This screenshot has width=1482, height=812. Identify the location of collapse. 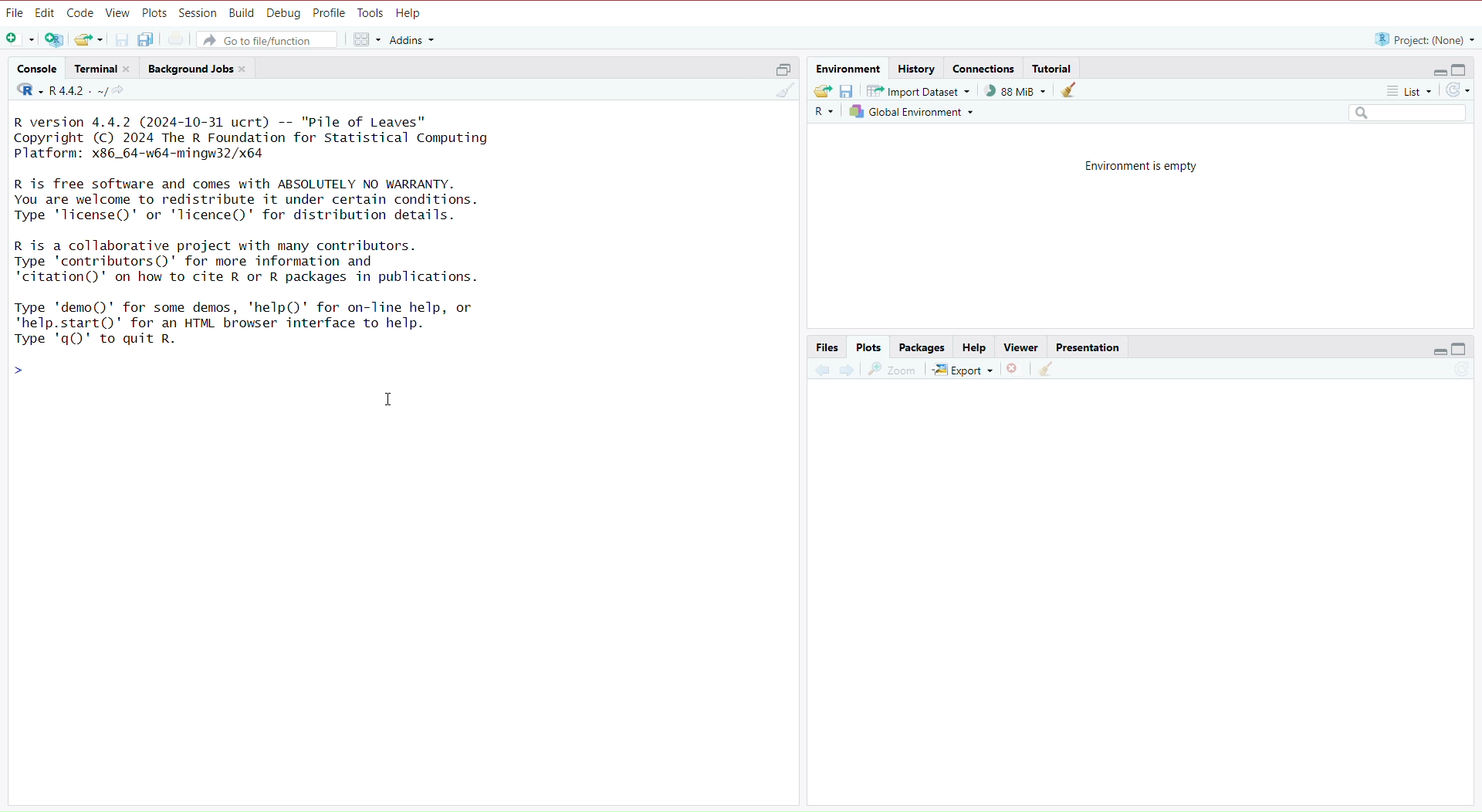
(1463, 70).